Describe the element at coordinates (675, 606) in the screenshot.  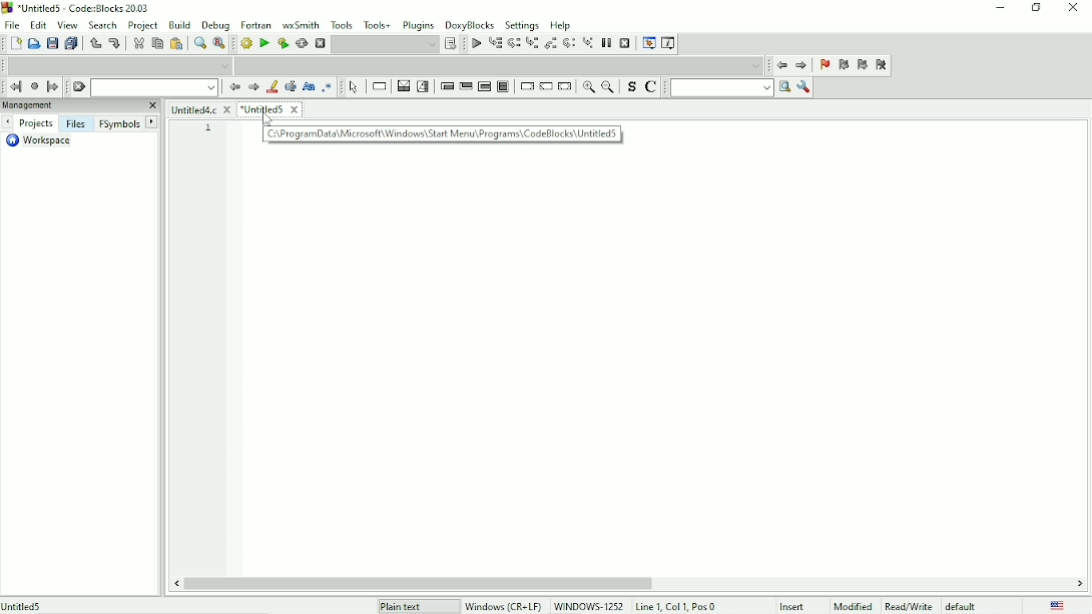
I see `Line 1, Col 1, Pos 0` at that location.